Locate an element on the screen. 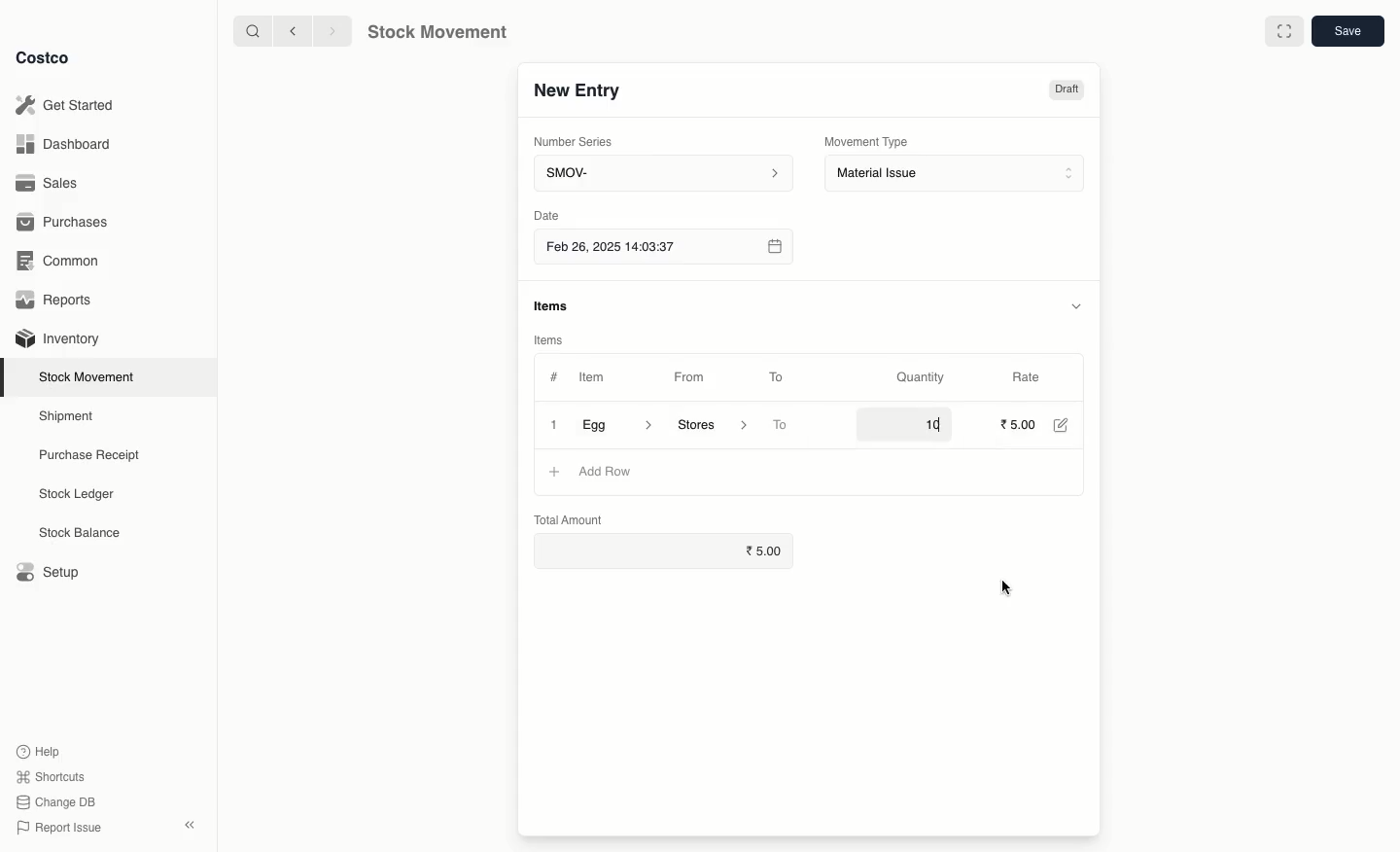  10 is located at coordinates (908, 424).